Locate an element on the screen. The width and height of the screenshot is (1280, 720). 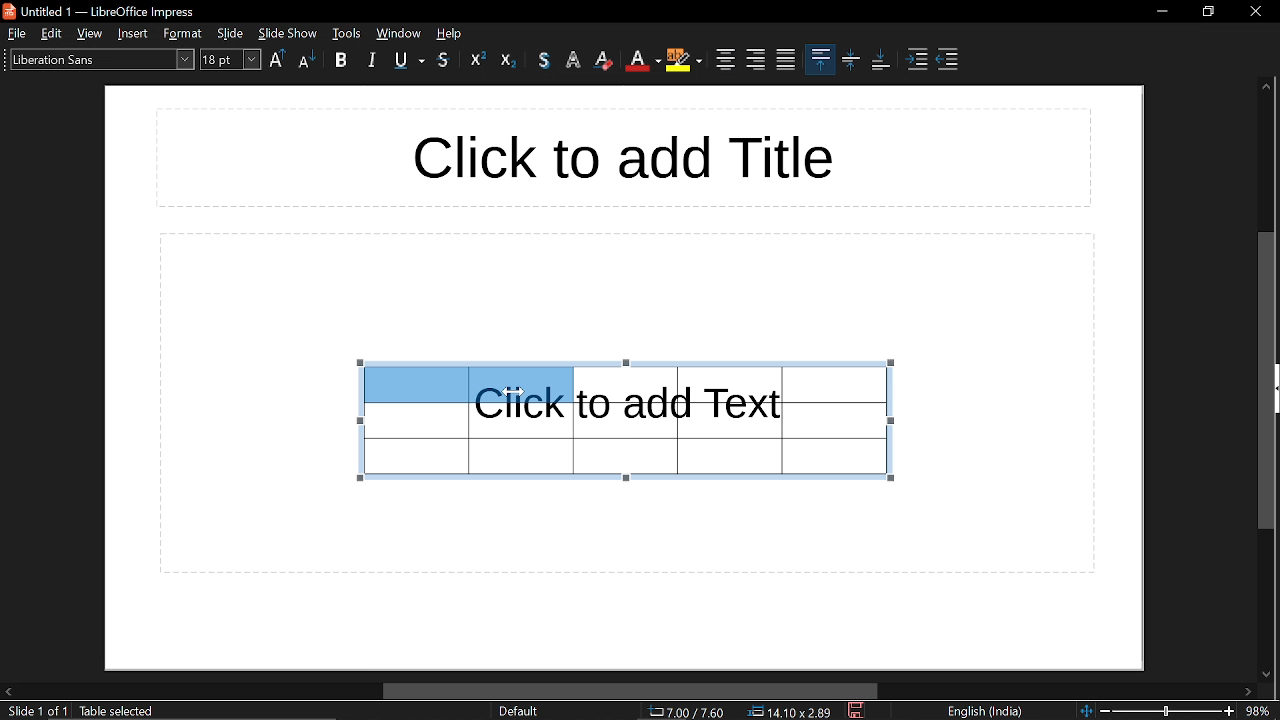
slide 1 of 1 is located at coordinates (37, 712).